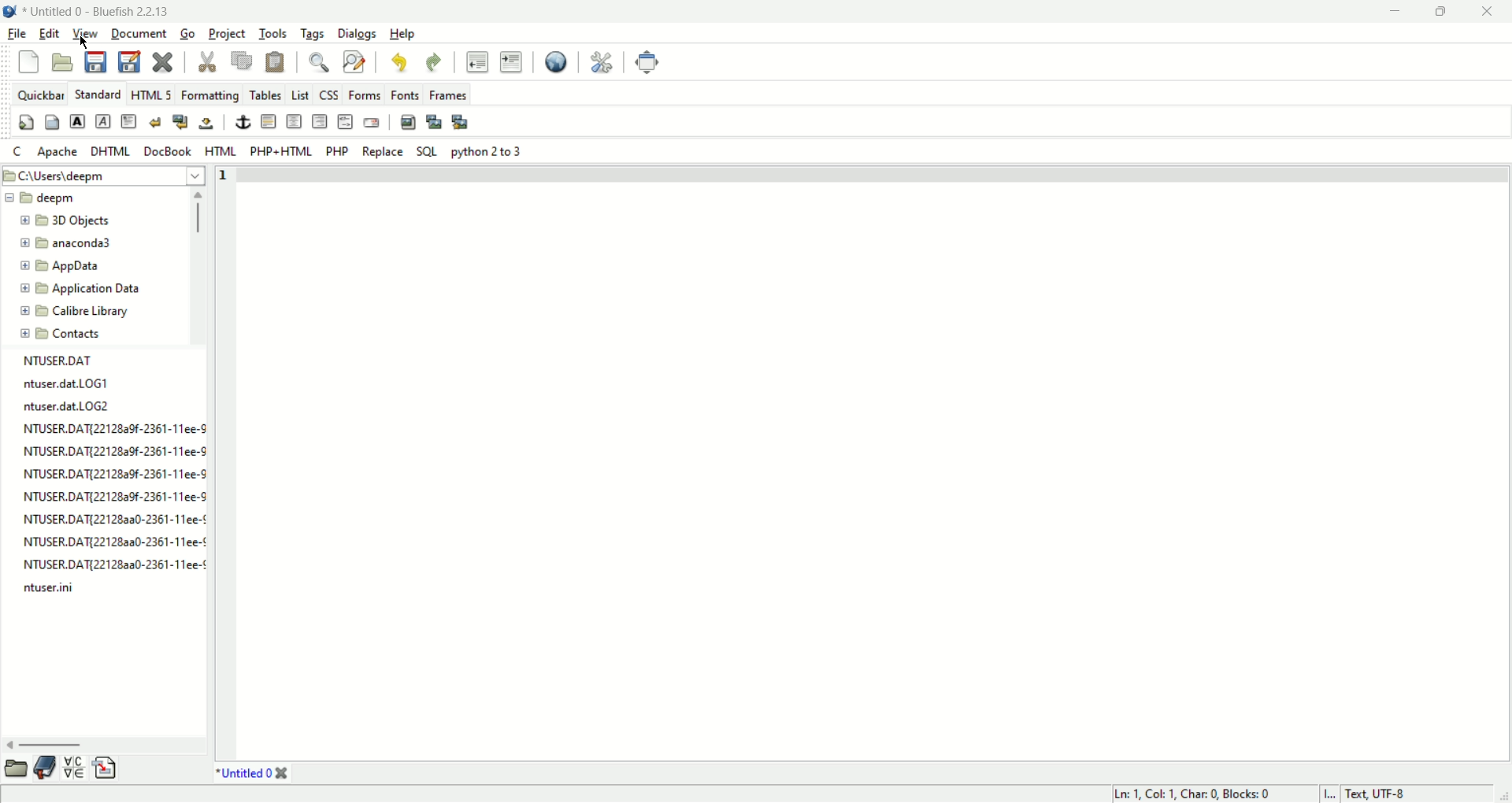 The width and height of the screenshot is (1512, 803). What do you see at coordinates (268, 122) in the screenshot?
I see `horizontal rule` at bounding box center [268, 122].